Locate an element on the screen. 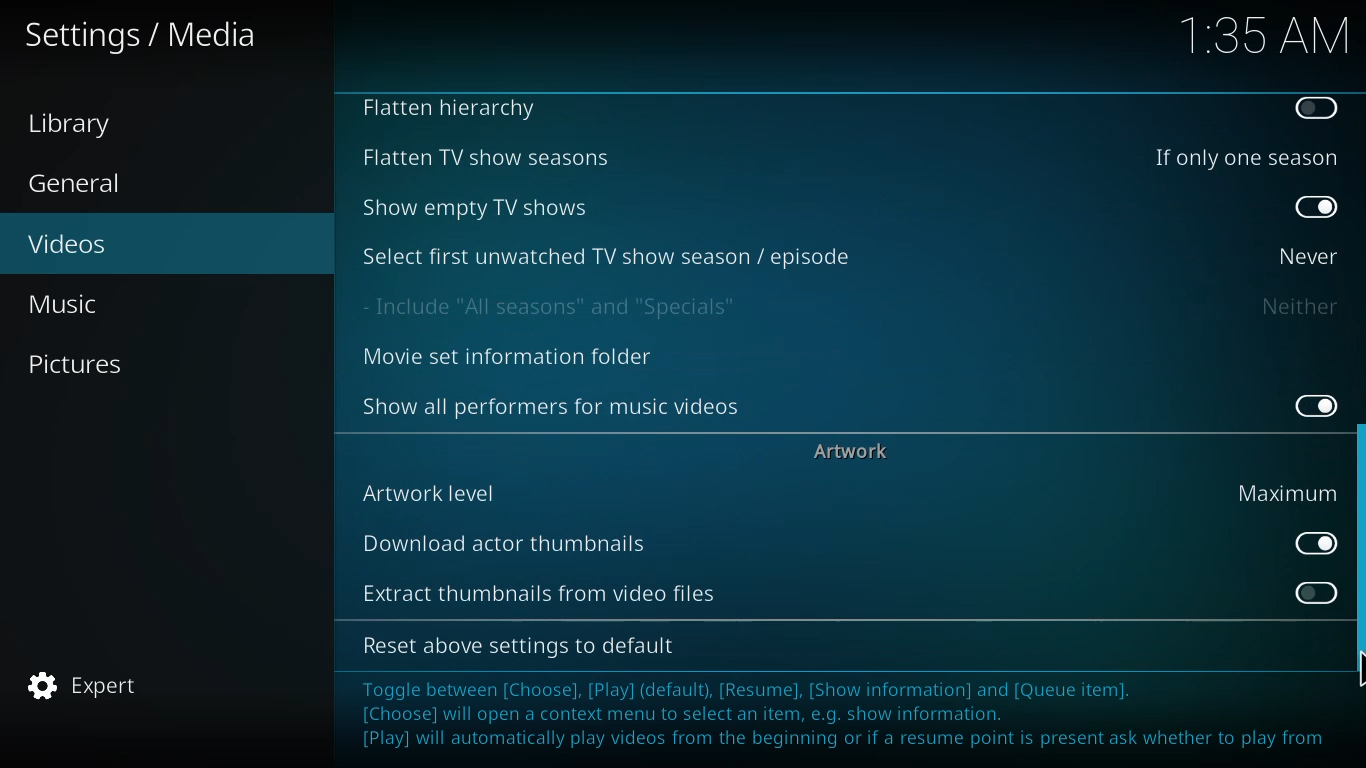 The width and height of the screenshot is (1366, 768). enabled is located at coordinates (1308, 542).